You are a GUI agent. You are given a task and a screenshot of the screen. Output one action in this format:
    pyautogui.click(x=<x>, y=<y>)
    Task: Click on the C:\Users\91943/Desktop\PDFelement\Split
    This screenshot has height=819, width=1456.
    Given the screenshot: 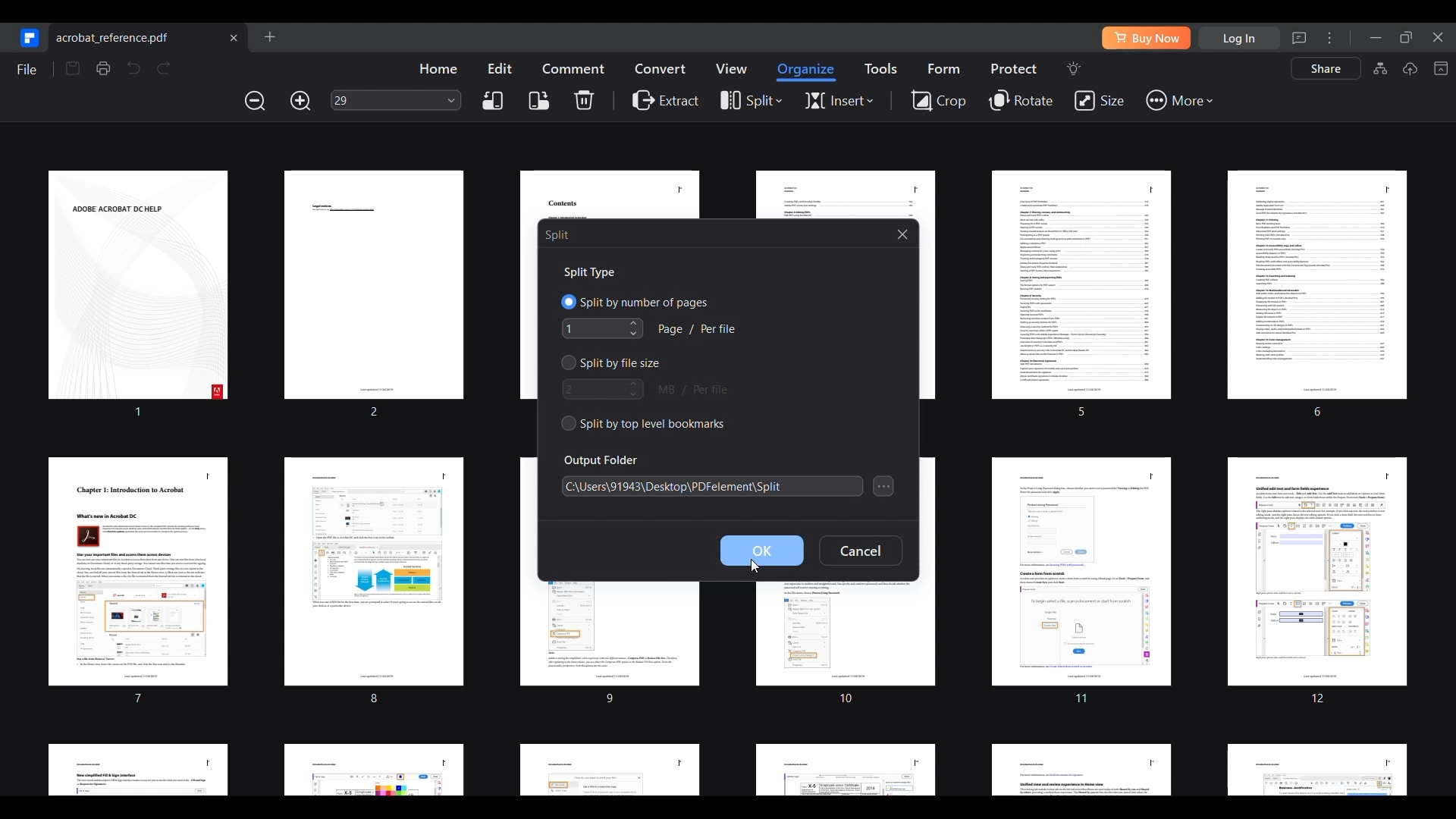 What is the action you would take?
    pyautogui.click(x=706, y=488)
    